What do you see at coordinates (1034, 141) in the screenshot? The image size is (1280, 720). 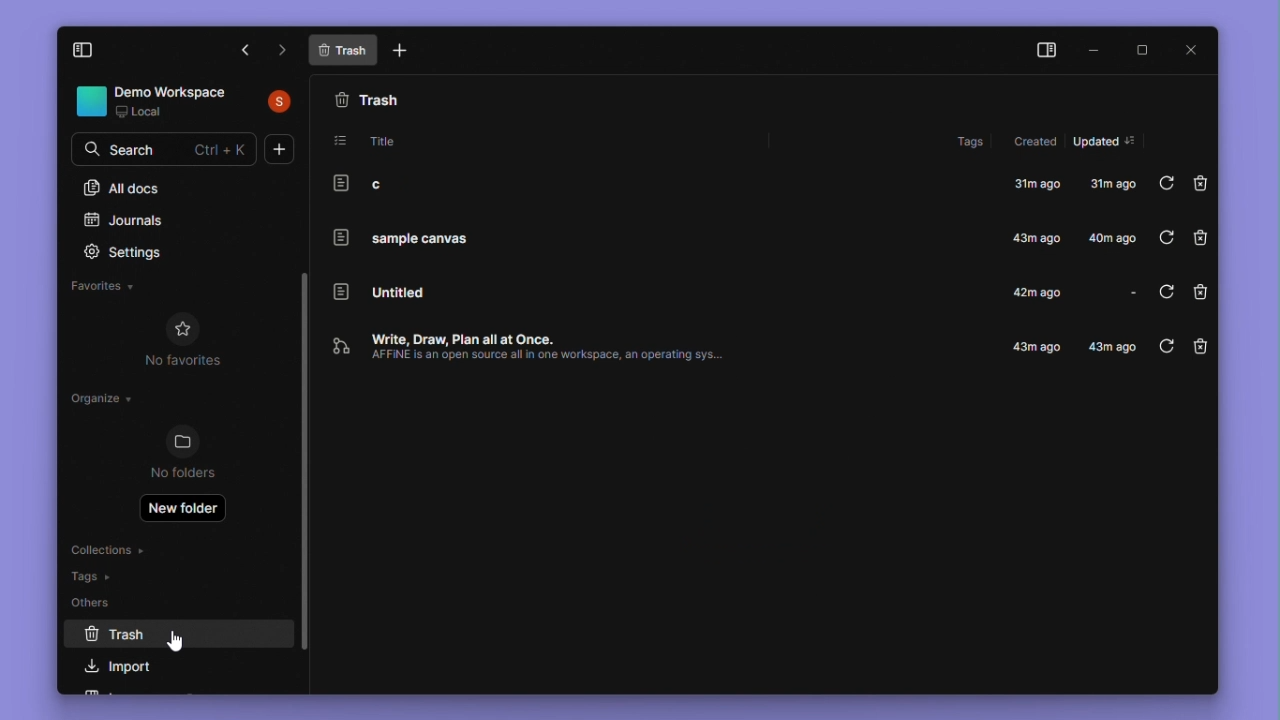 I see `Created` at bounding box center [1034, 141].